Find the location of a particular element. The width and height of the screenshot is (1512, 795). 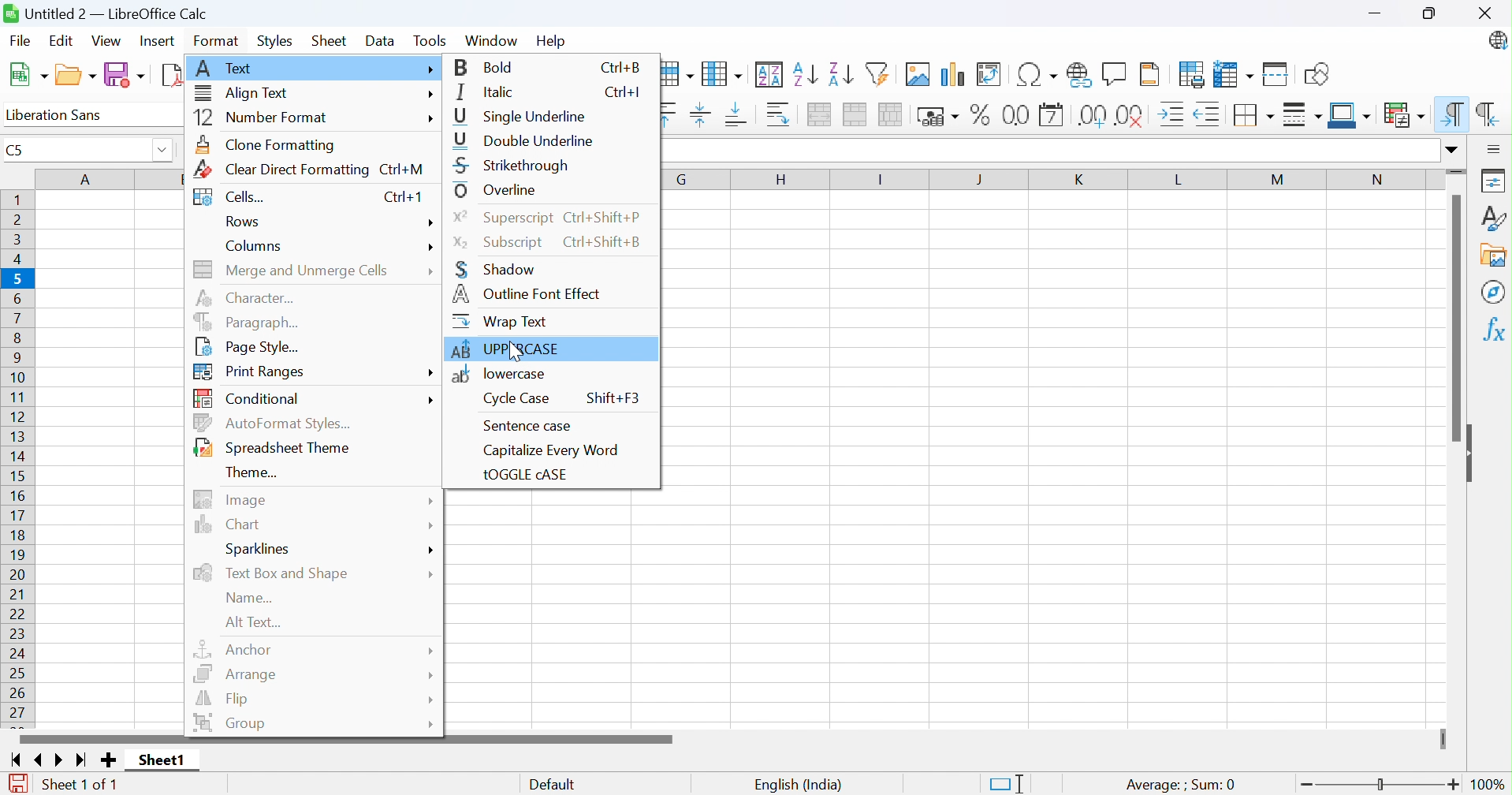

Sort is located at coordinates (770, 74).